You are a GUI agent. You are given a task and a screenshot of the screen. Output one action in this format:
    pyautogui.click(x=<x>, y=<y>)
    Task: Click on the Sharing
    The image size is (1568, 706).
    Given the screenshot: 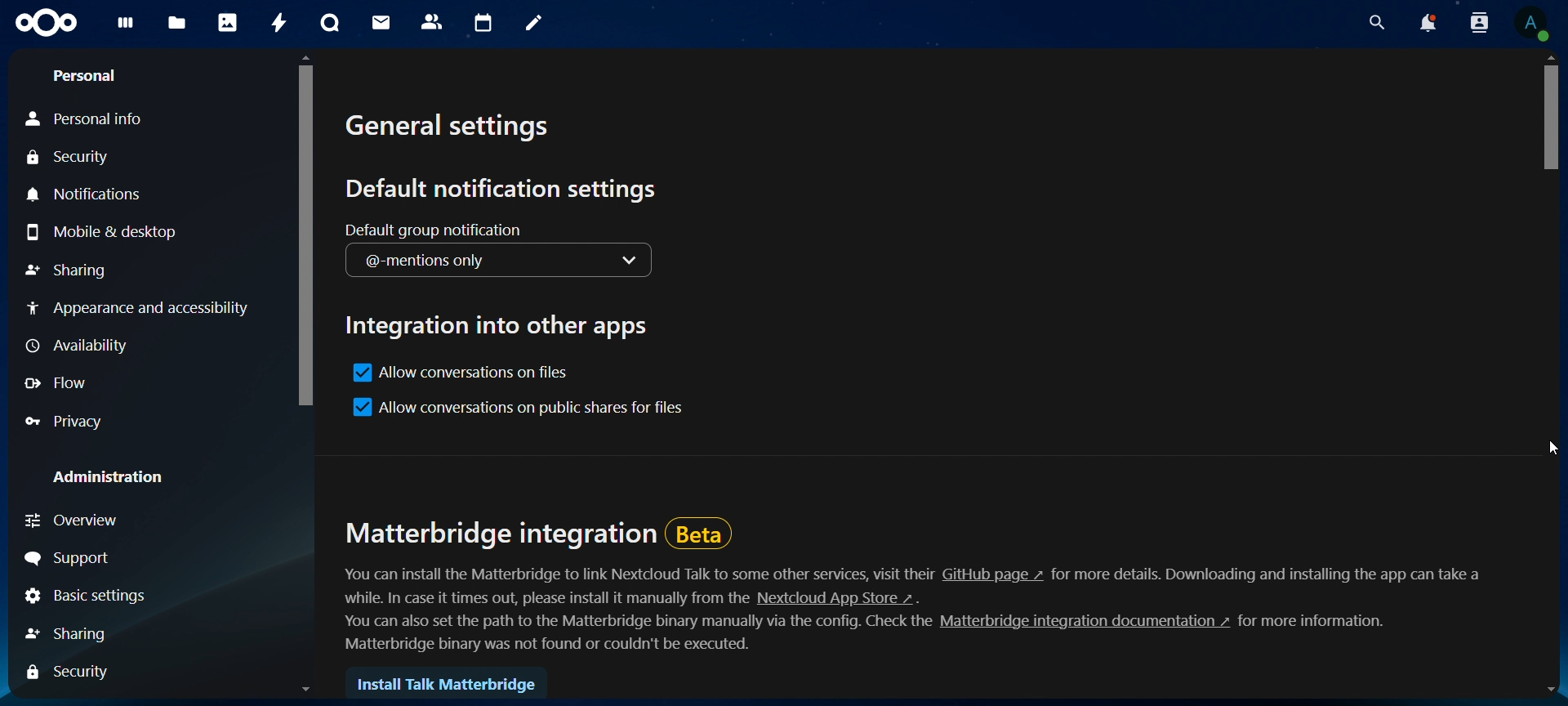 What is the action you would take?
    pyautogui.click(x=68, y=273)
    